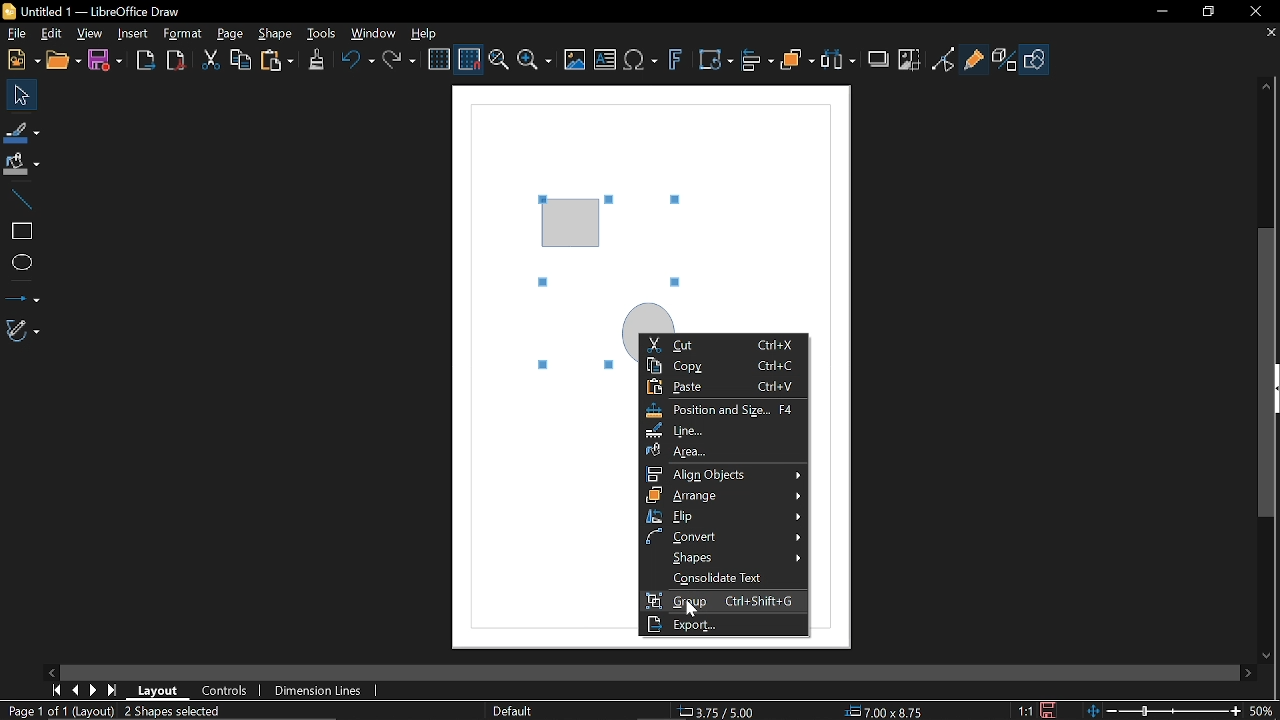  What do you see at coordinates (726, 537) in the screenshot?
I see `CONVERT` at bounding box center [726, 537].